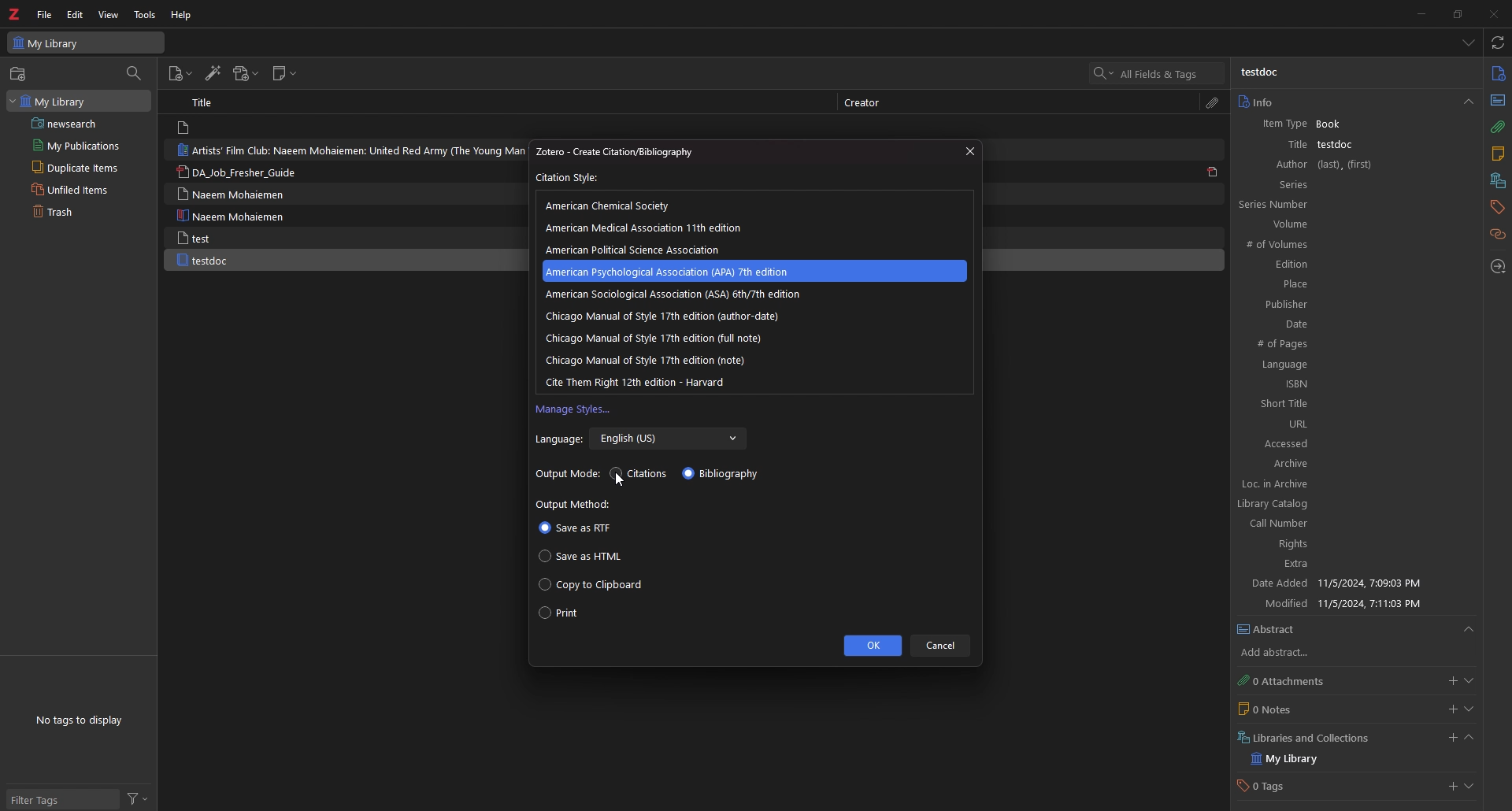 This screenshot has height=811, width=1512. What do you see at coordinates (245, 74) in the screenshot?
I see `add attachment` at bounding box center [245, 74].